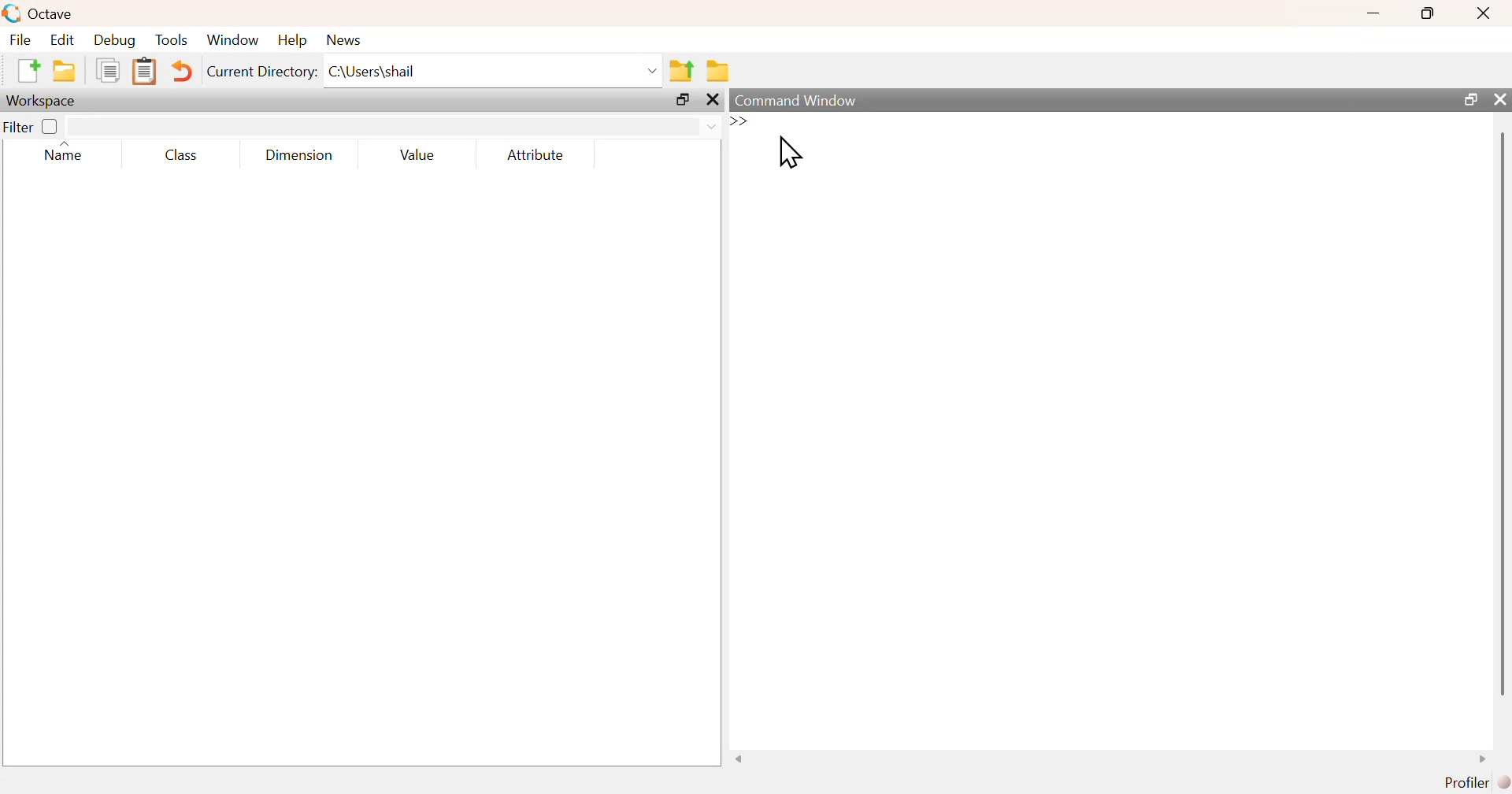  Describe the element at coordinates (172, 39) in the screenshot. I see `Tools` at that location.